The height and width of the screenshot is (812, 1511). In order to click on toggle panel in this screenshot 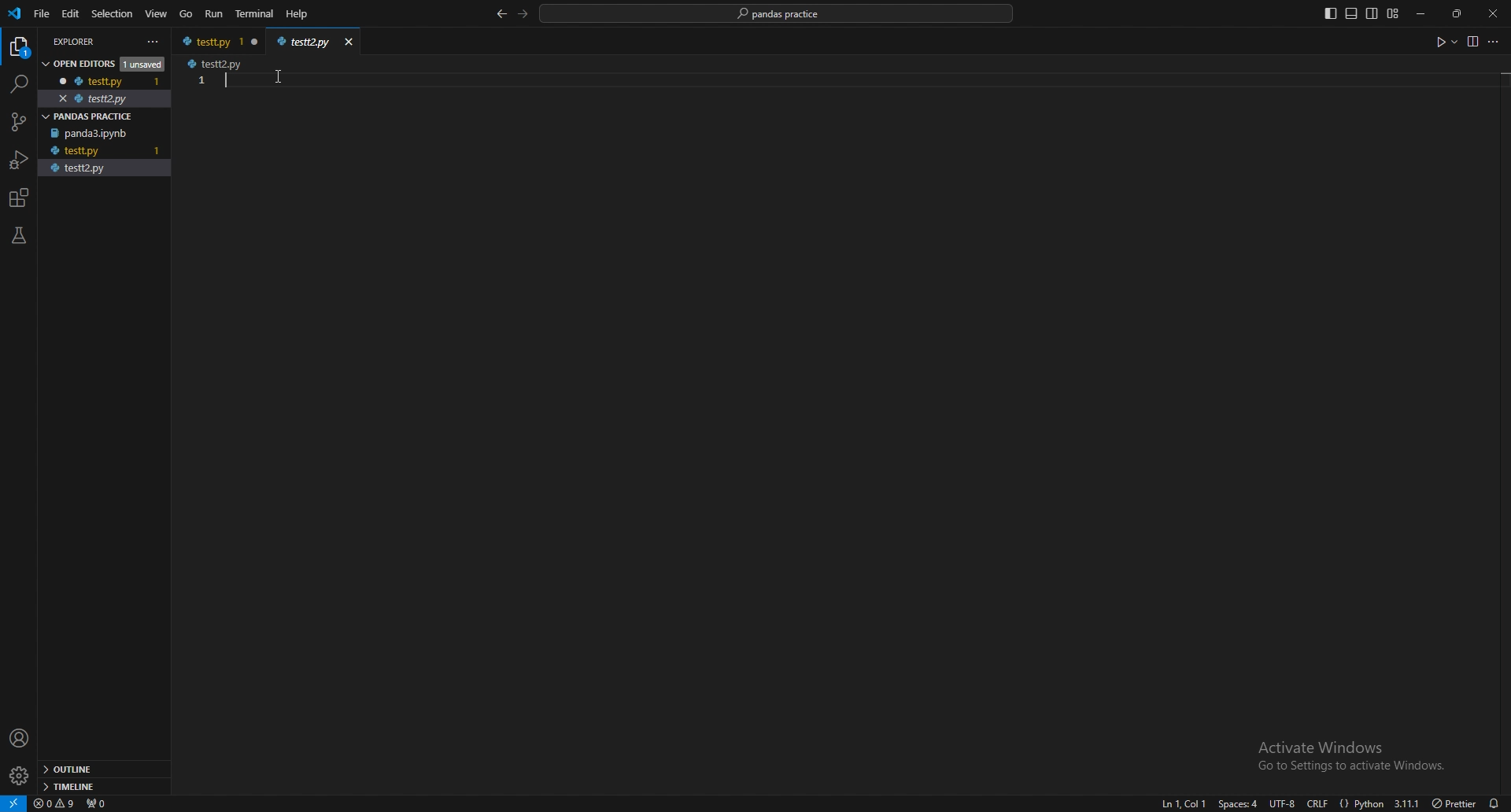, I will do `click(1351, 14)`.